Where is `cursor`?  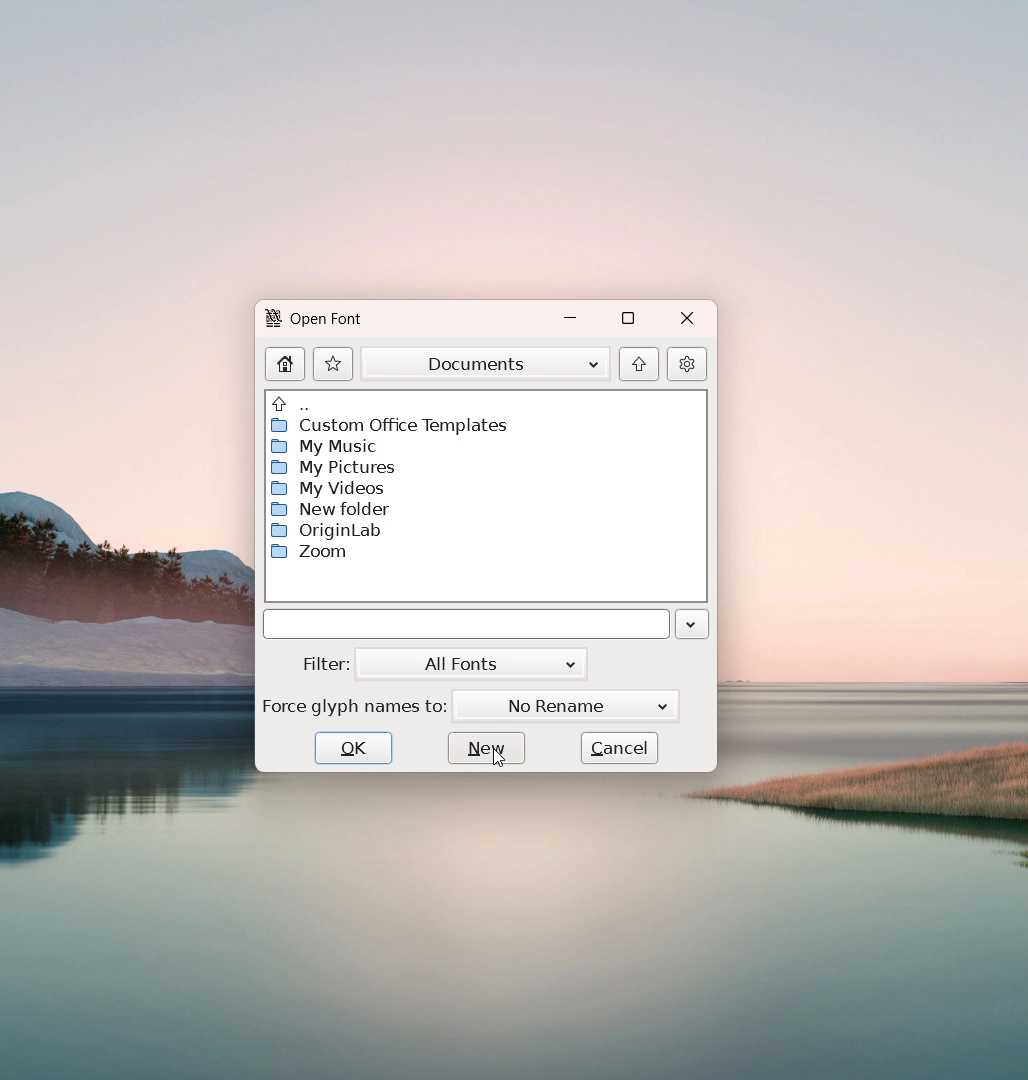 cursor is located at coordinates (498, 757).